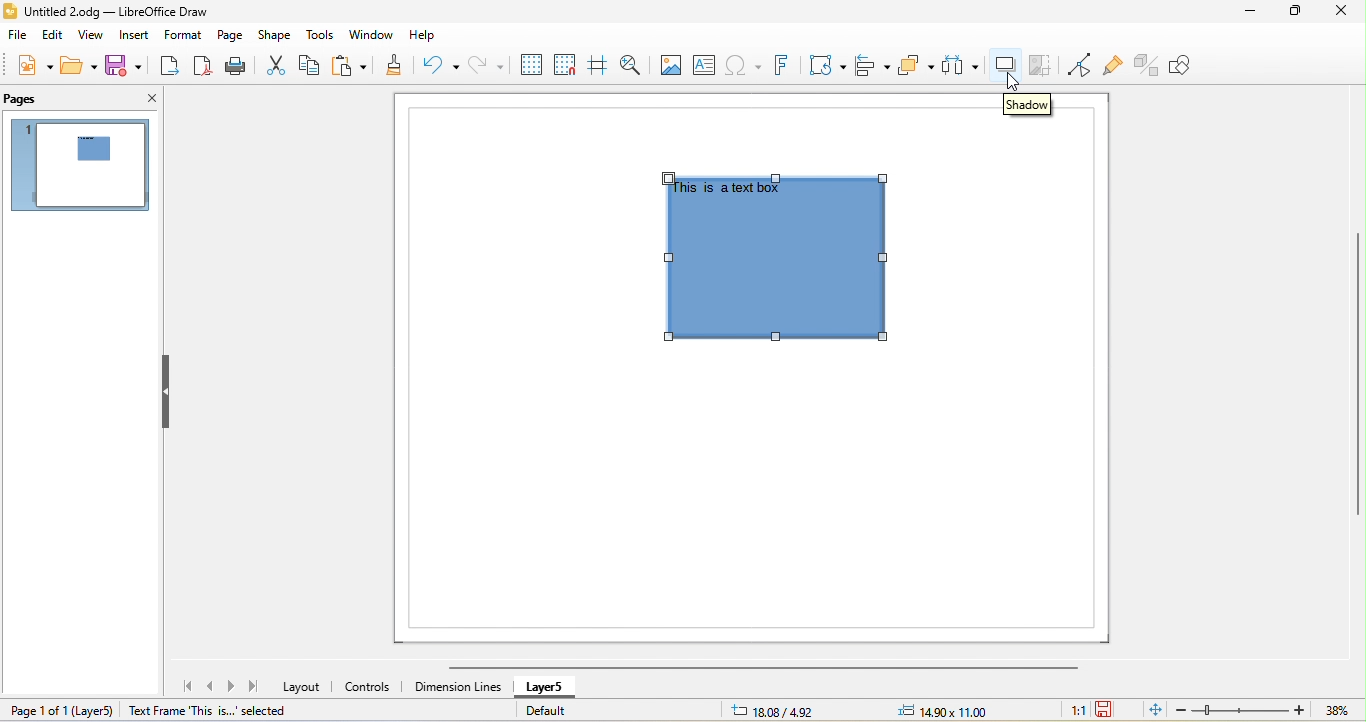 Image resolution: width=1366 pixels, height=722 pixels. What do you see at coordinates (1336, 711) in the screenshot?
I see `Zoom percentage` at bounding box center [1336, 711].